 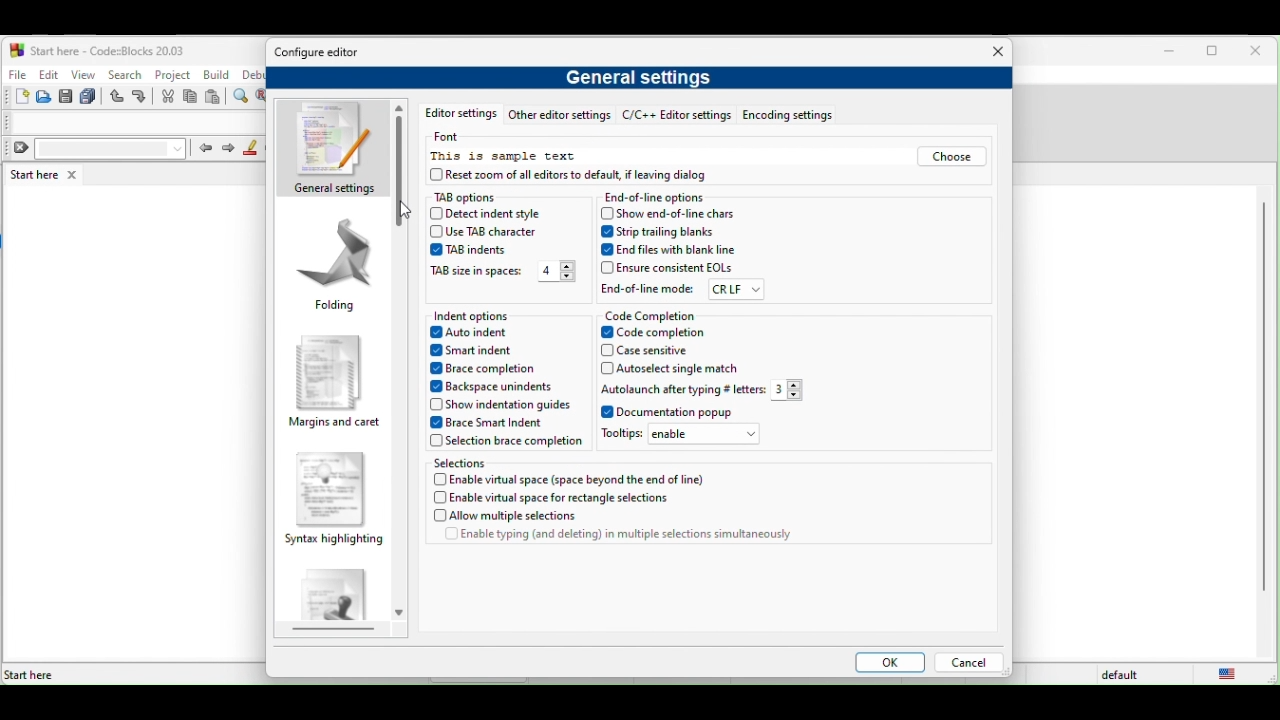 What do you see at coordinates (204, 147) in the screenshot?
I see `prev` at bounding box center [204, 147].